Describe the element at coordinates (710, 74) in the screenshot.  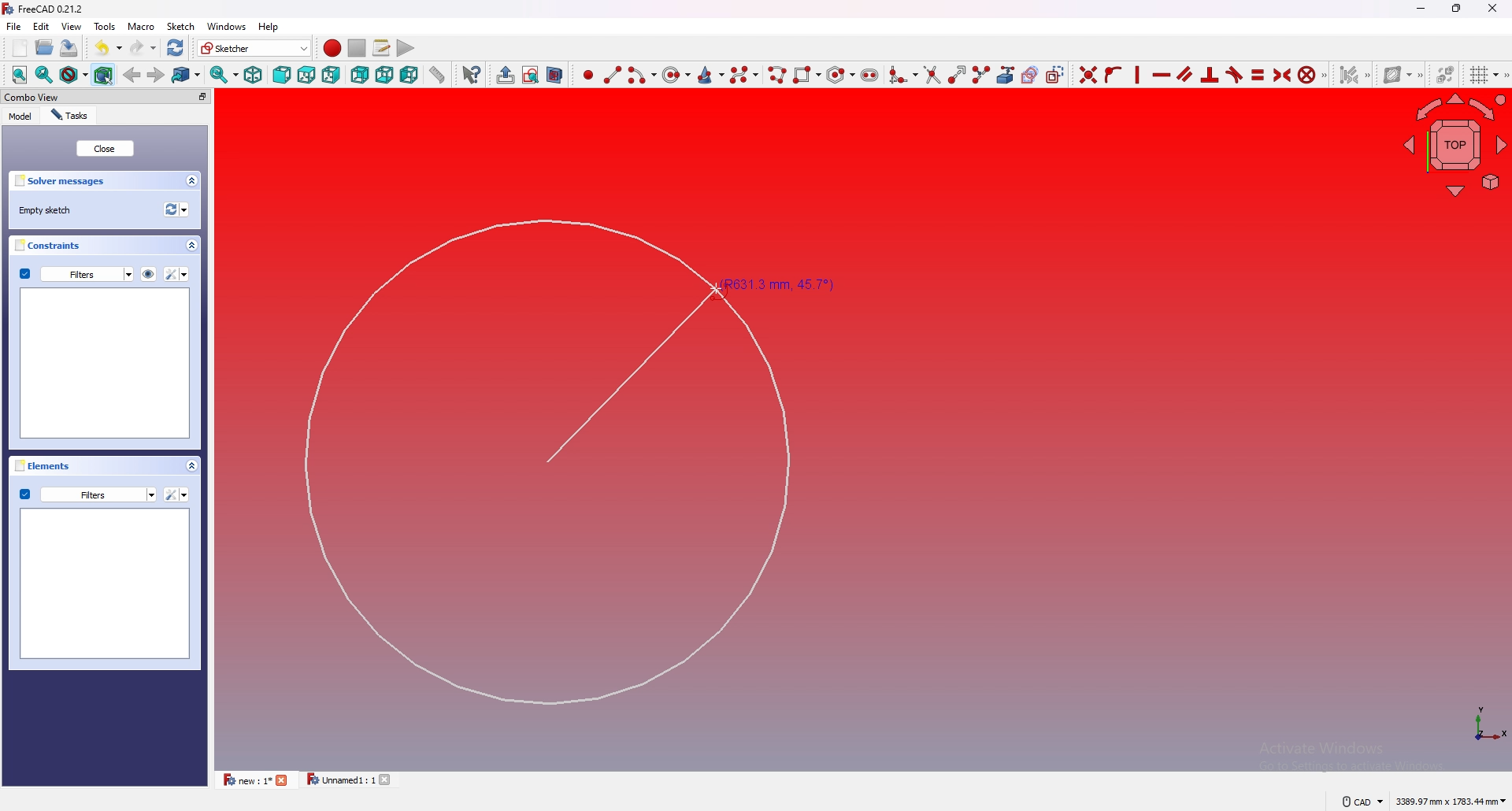
I see `create conic` at that location.